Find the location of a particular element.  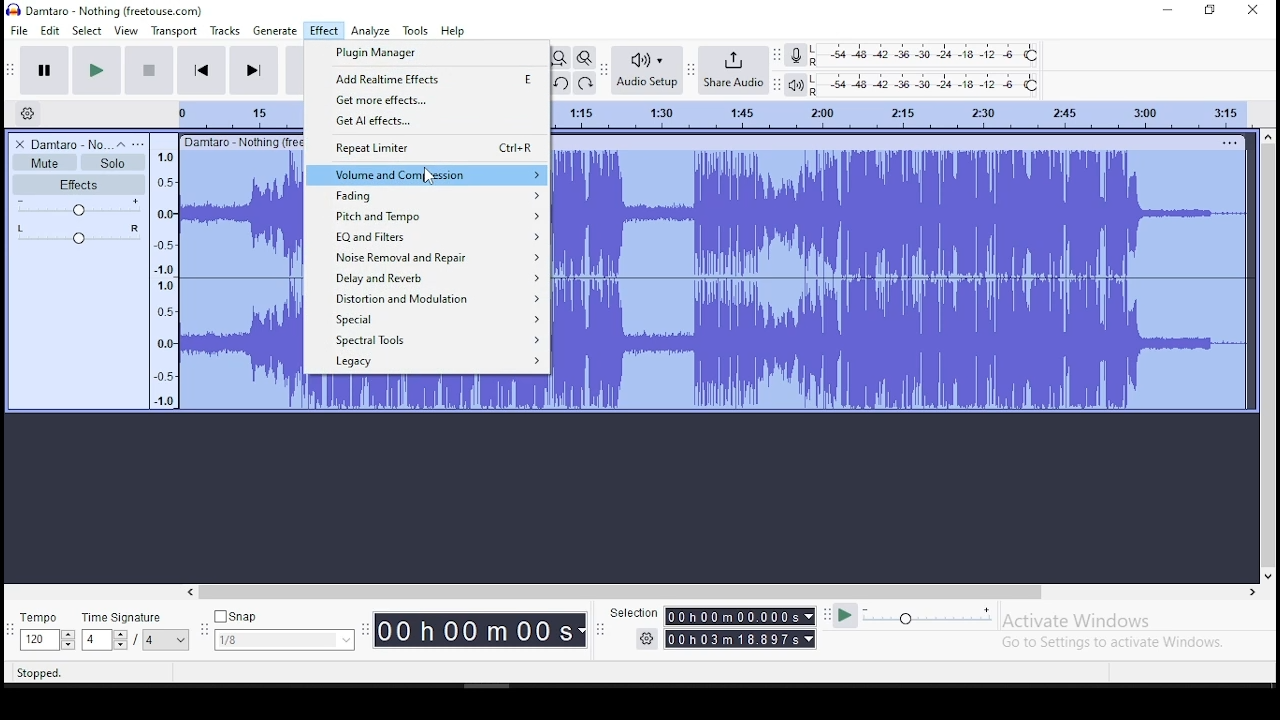

00 h 00 m 00.000 s is located at coordinates (741, 638).